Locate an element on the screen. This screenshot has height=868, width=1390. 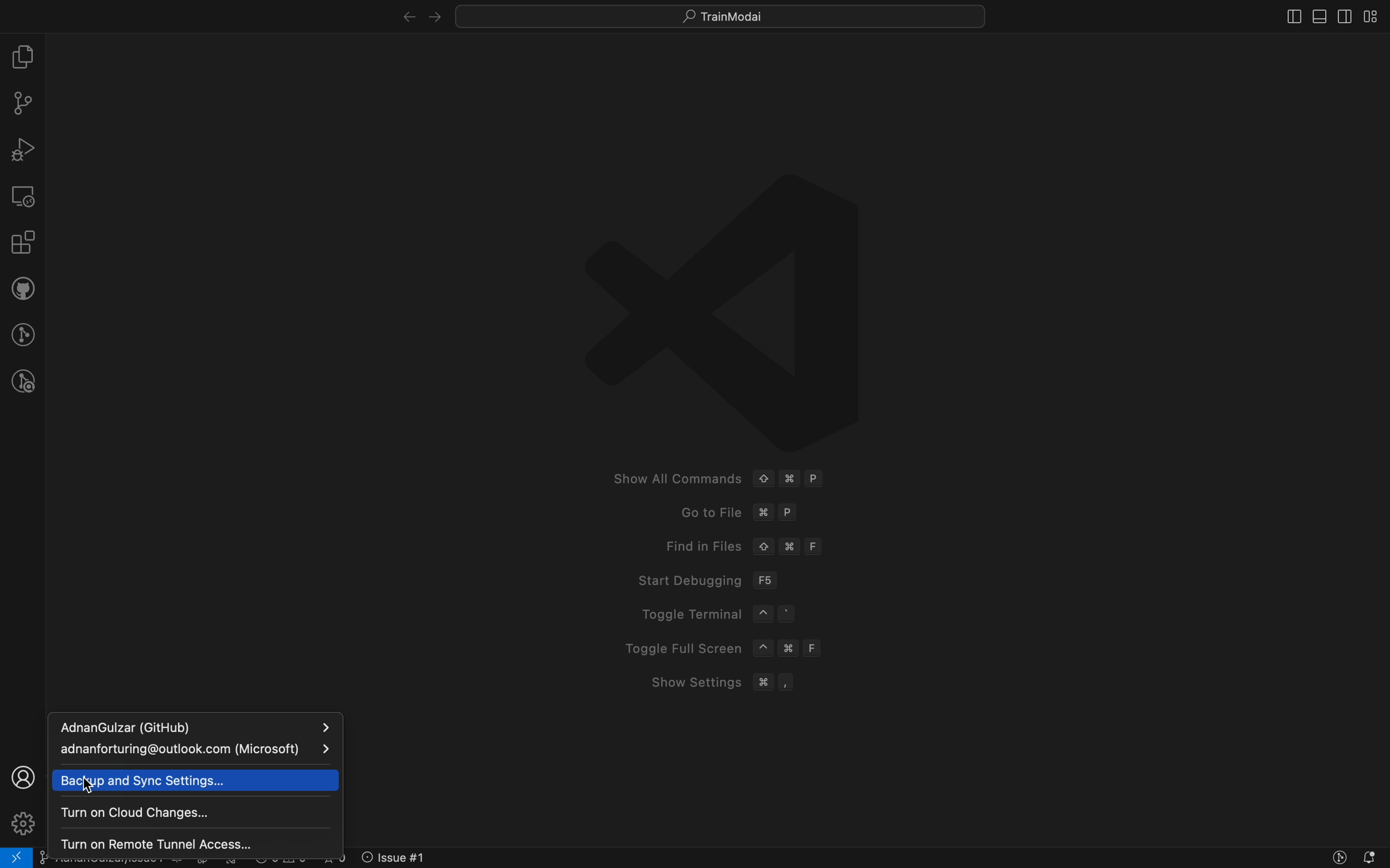
close slidebar is located at coordinates (1286, 18).